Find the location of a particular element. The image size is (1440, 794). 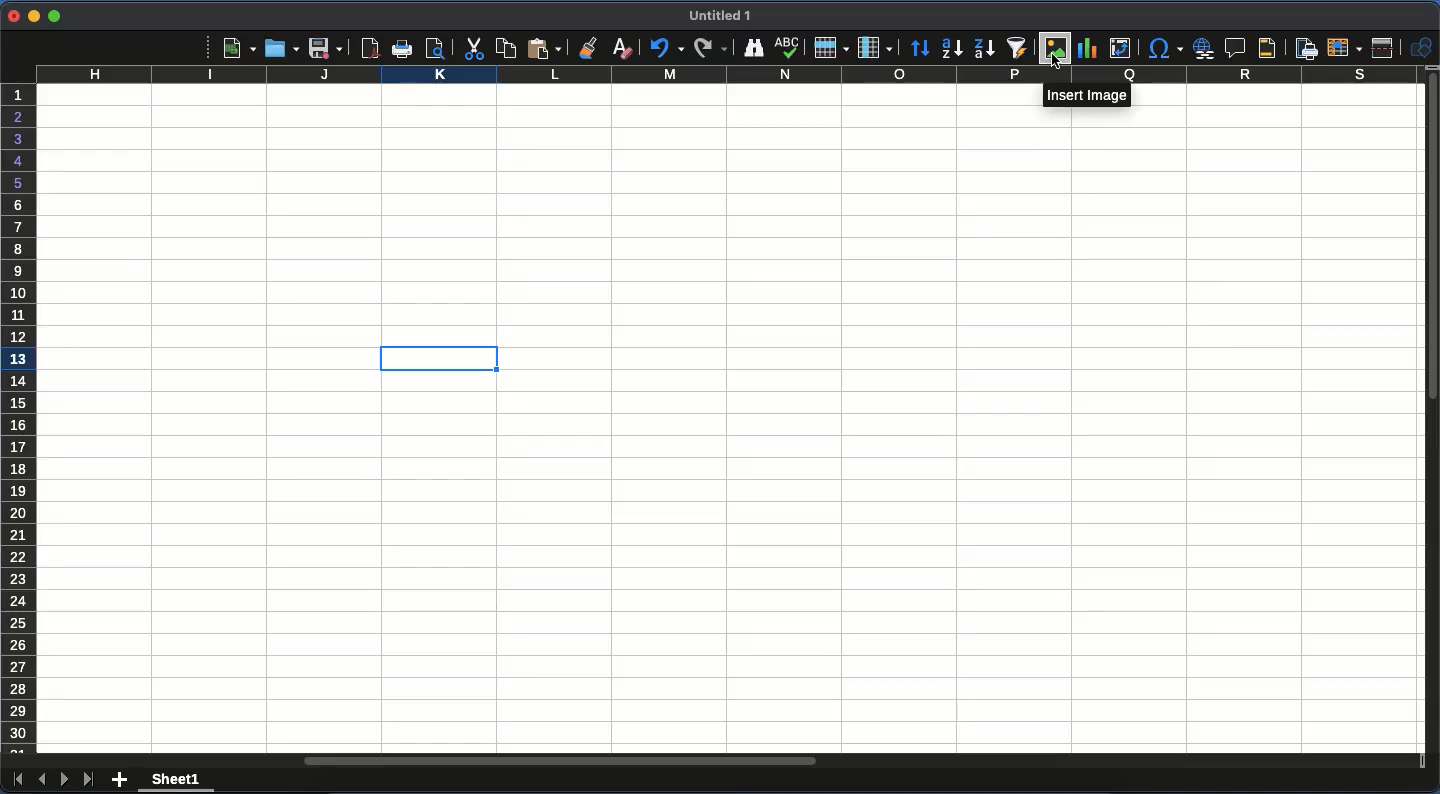

next sheet is located at coordinates (65, 779).